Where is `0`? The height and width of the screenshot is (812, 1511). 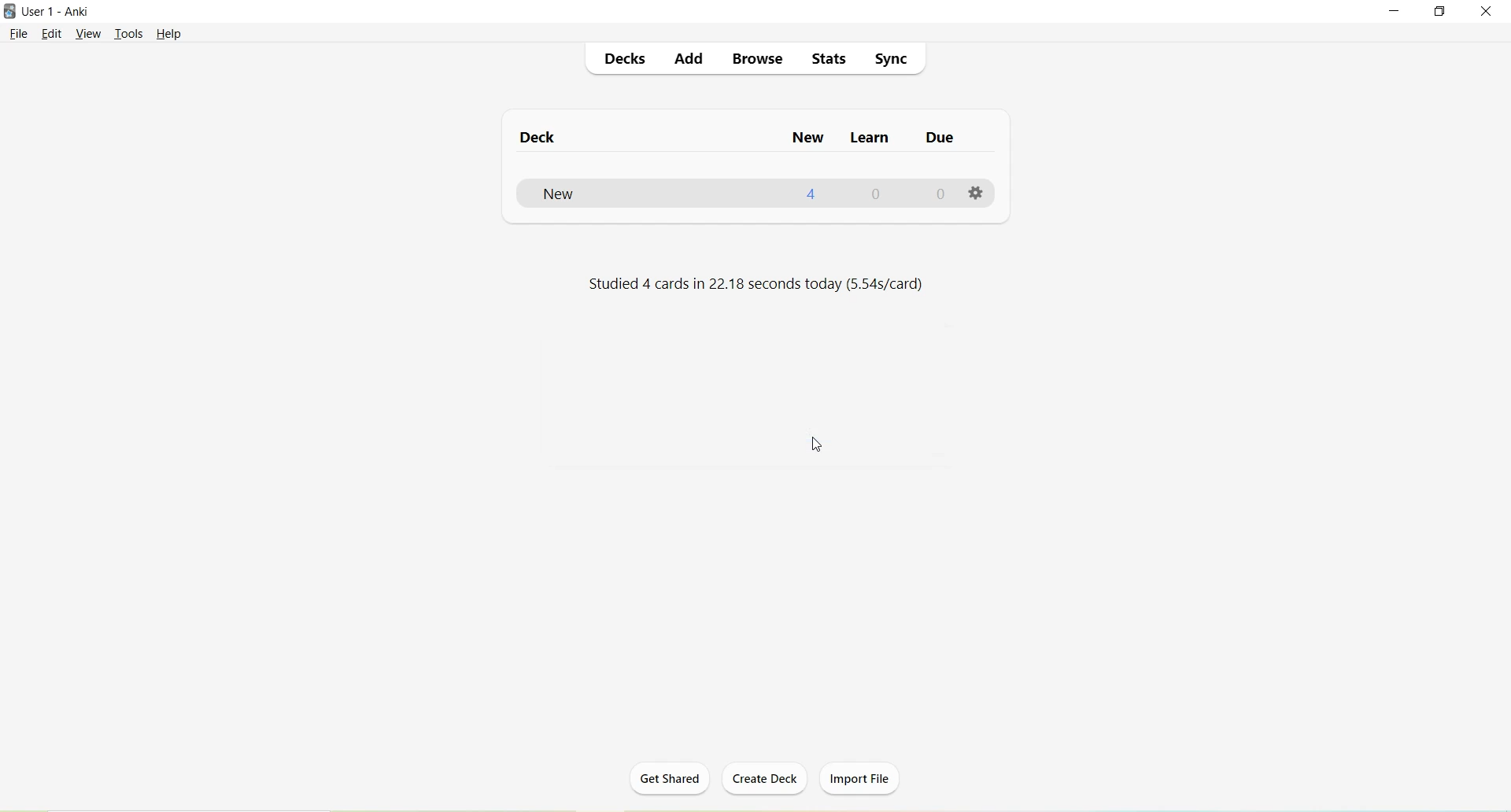
0 is located at coordinates (877, 194).